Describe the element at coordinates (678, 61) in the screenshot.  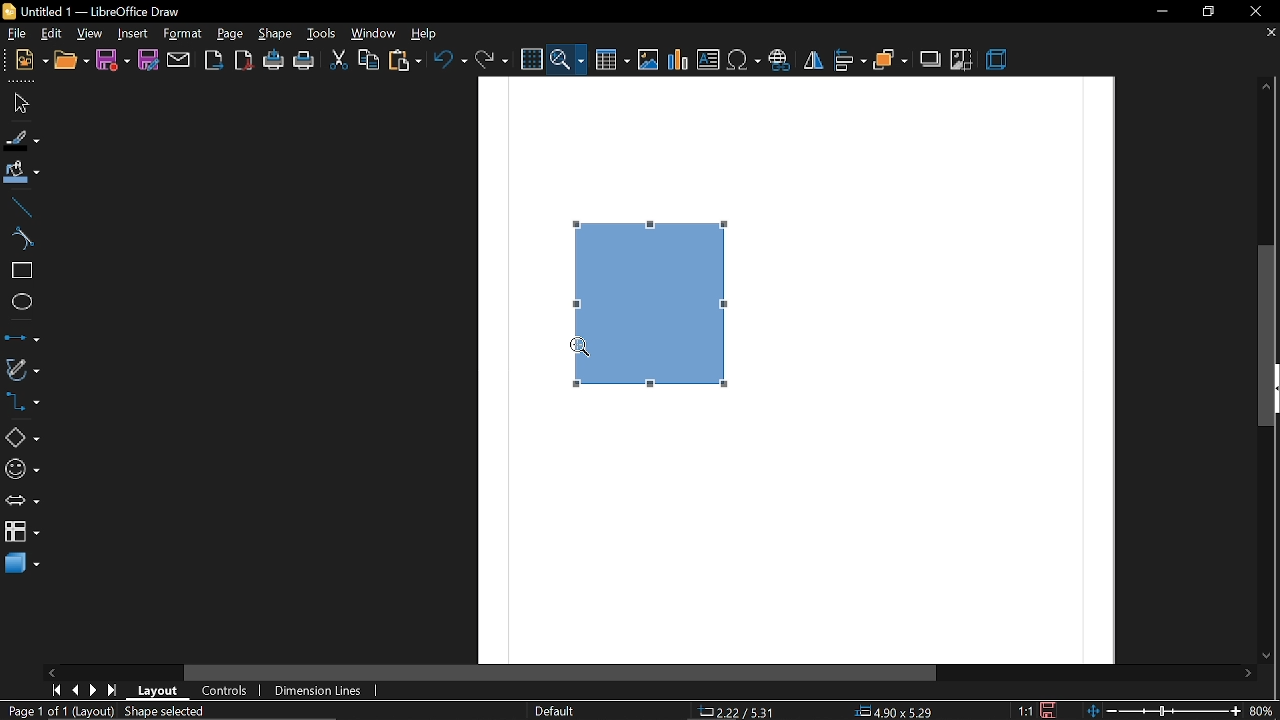
I see `Insert chart` at that location.